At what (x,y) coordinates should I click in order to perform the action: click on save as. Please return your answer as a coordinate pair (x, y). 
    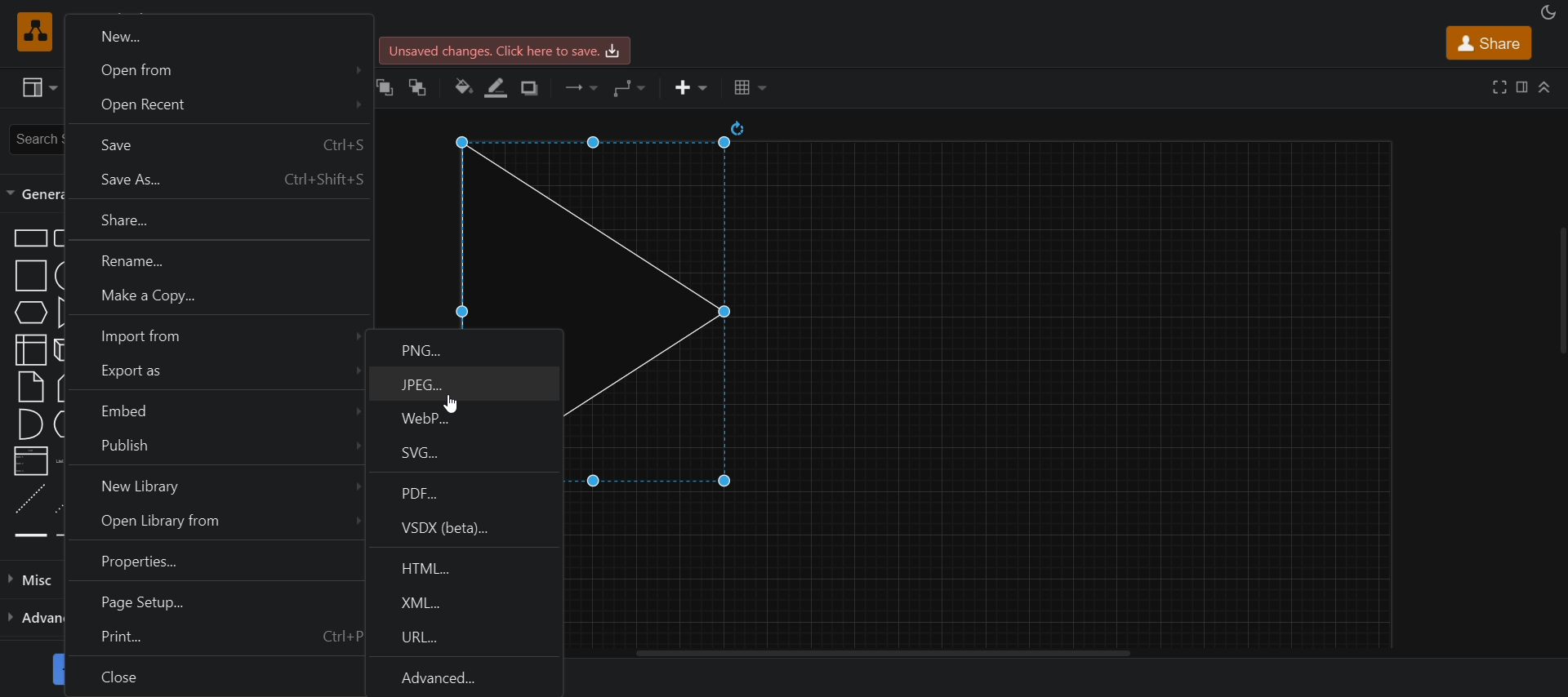
    Looking at the image, I should click on (214, 180).